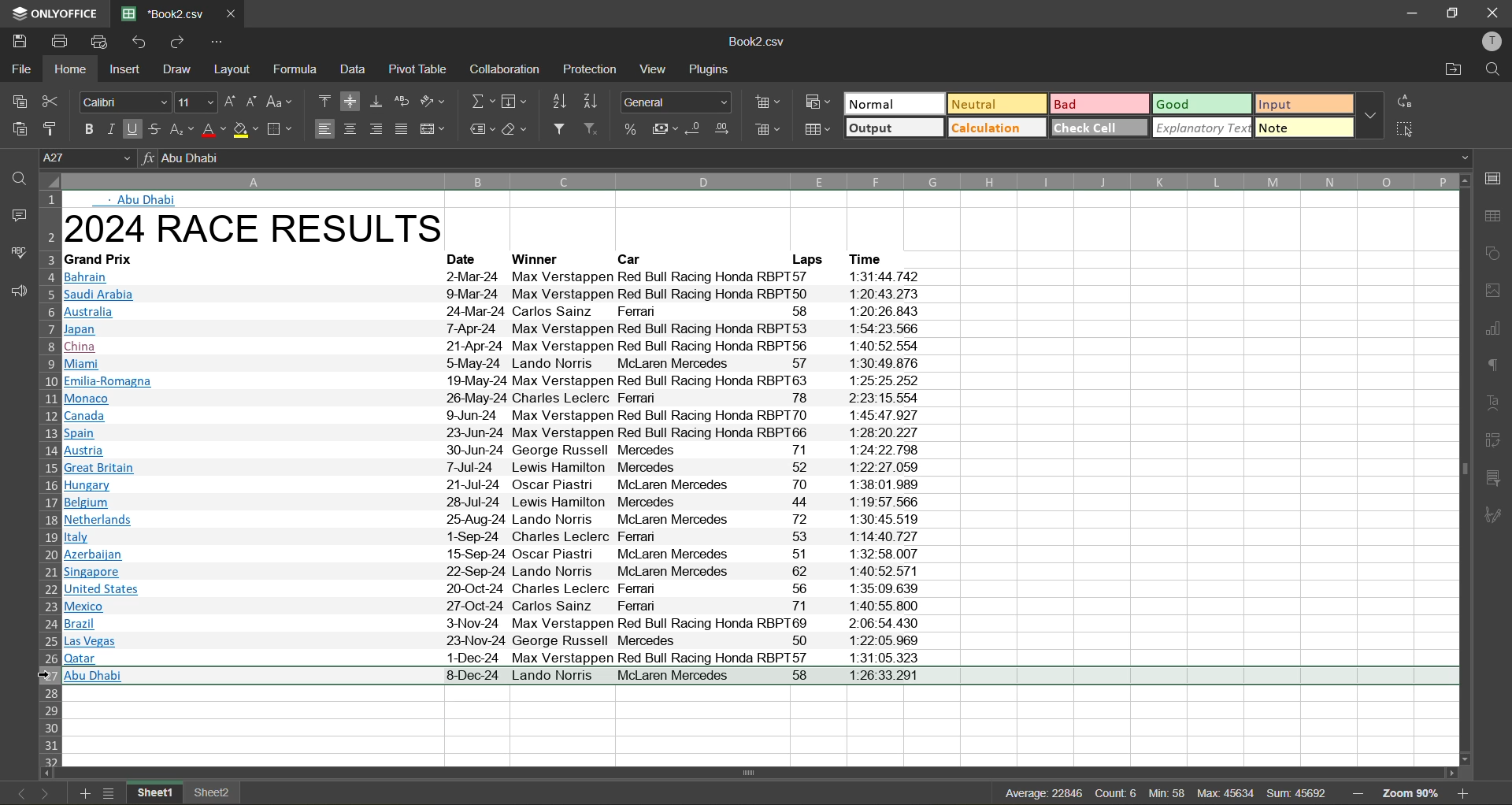 The image size is (1512, 805). I want to click on clear filter, so click(597, 131).